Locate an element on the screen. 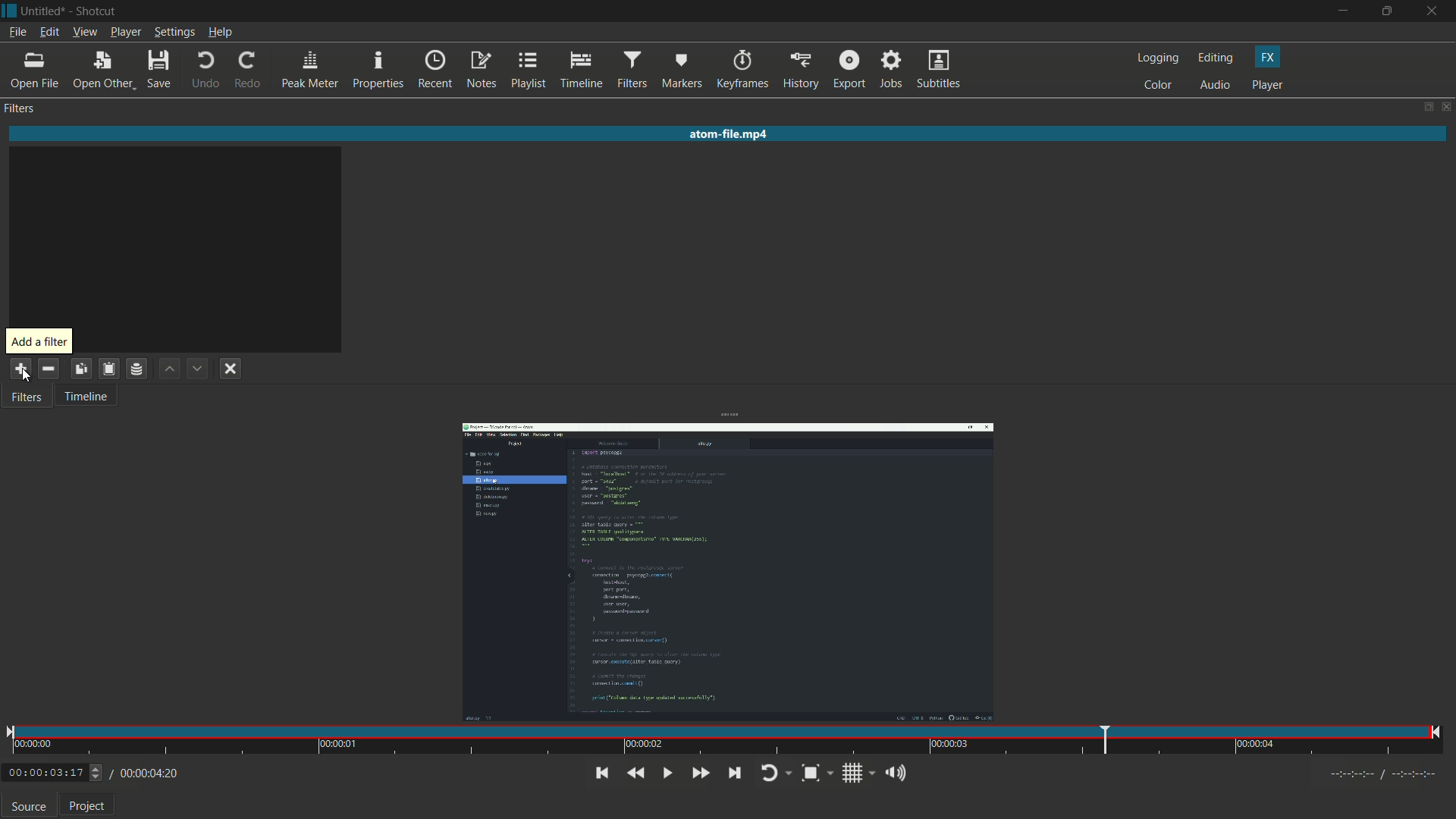 The width and height of the screenshot is (1456, 819). toggle grid is located at coordinates (858, 773).